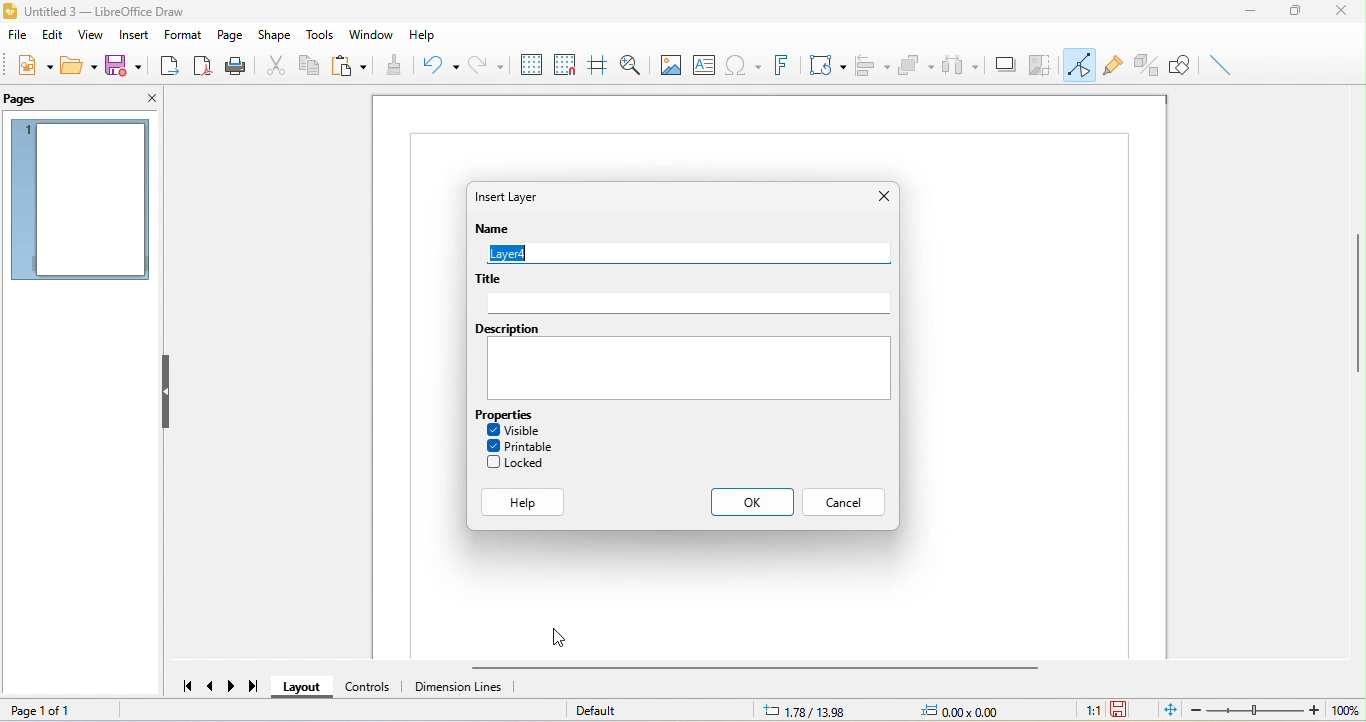 The height and width of the screenshot is (722, 1366). I want to click on name, so click(497, 229).